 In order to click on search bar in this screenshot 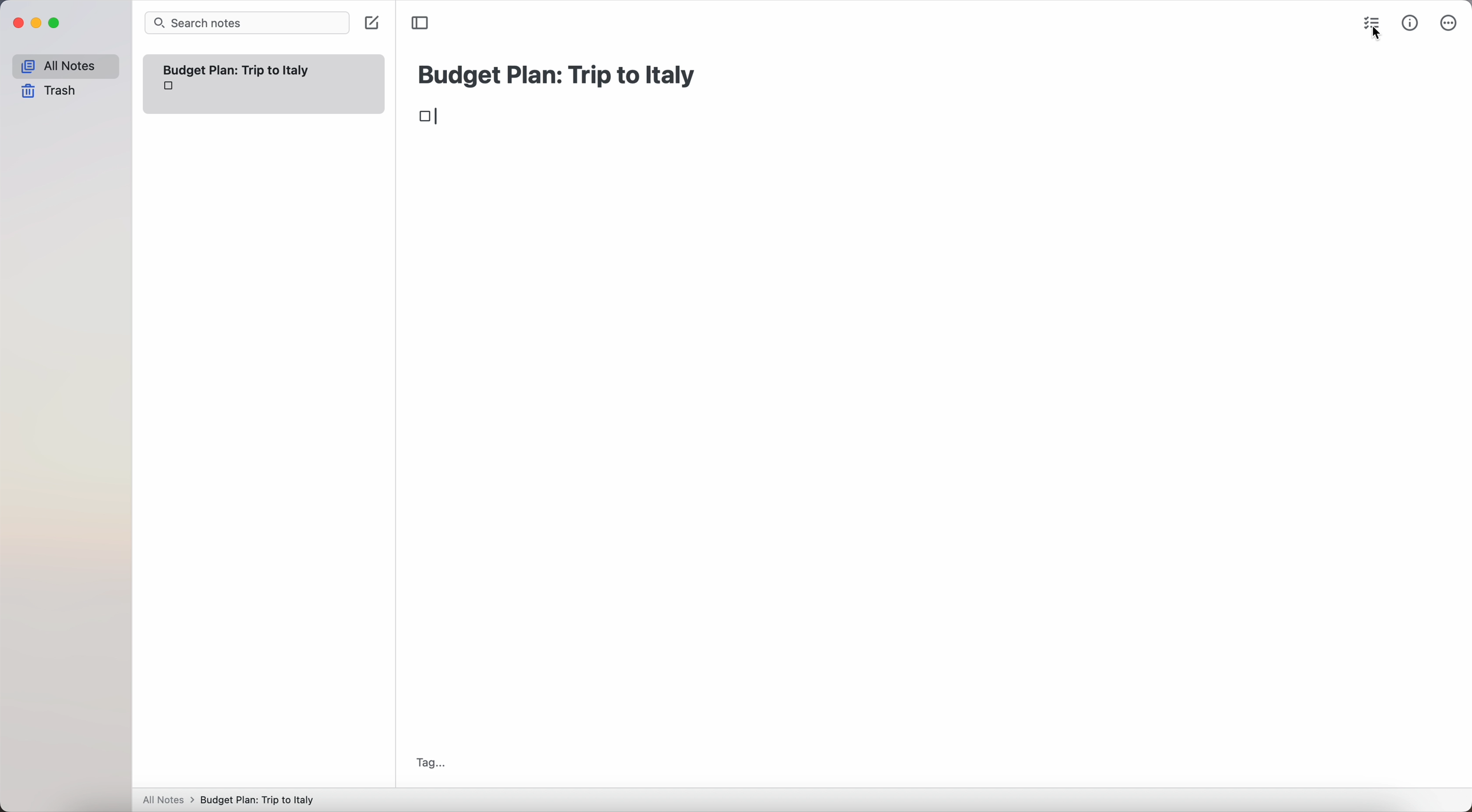, I will do `click(247, 23)`.